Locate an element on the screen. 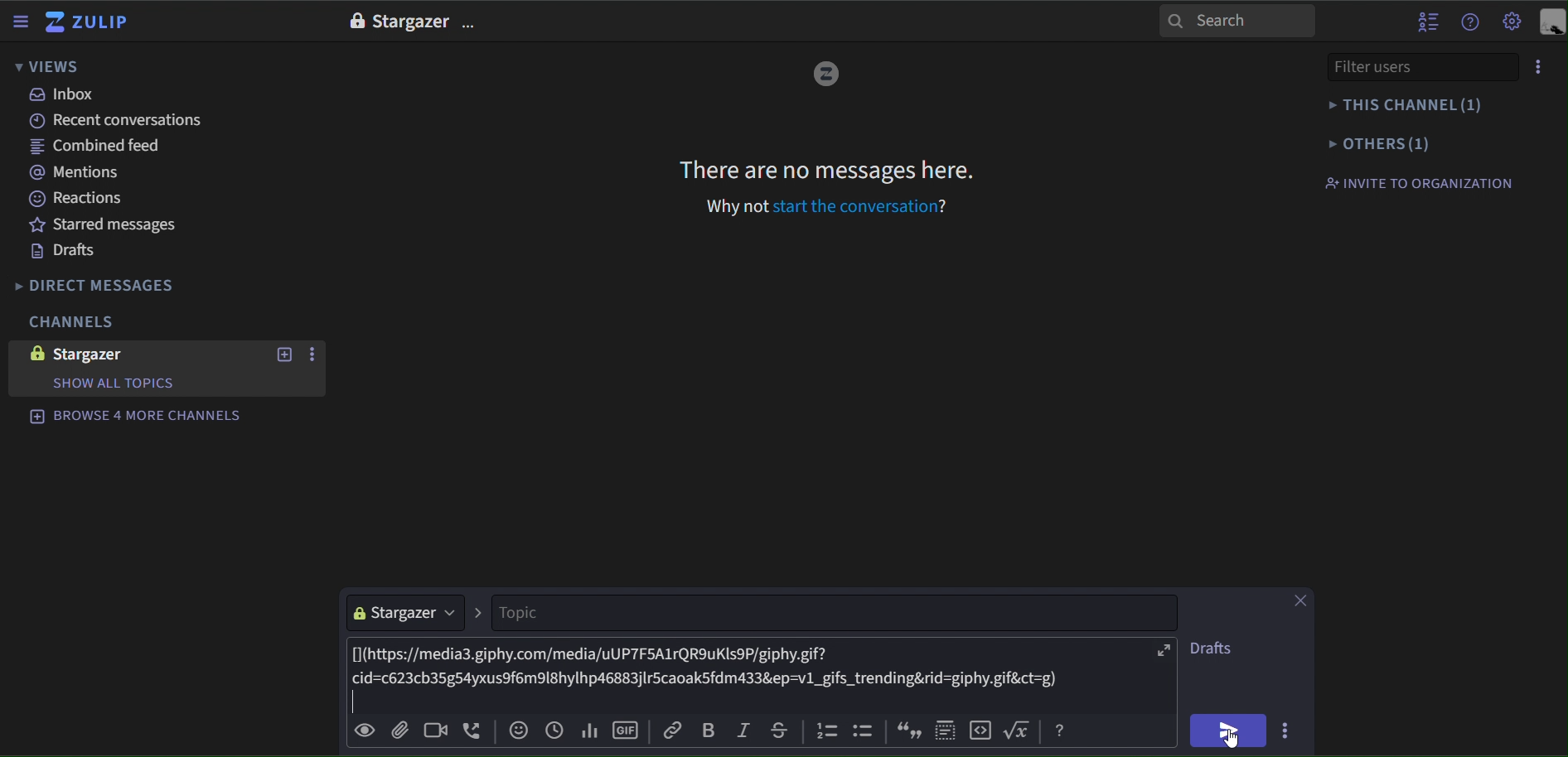 Image resolution: width=1568 pixels, height=757 pixels. show all topics is located at coordinates (112, 383).